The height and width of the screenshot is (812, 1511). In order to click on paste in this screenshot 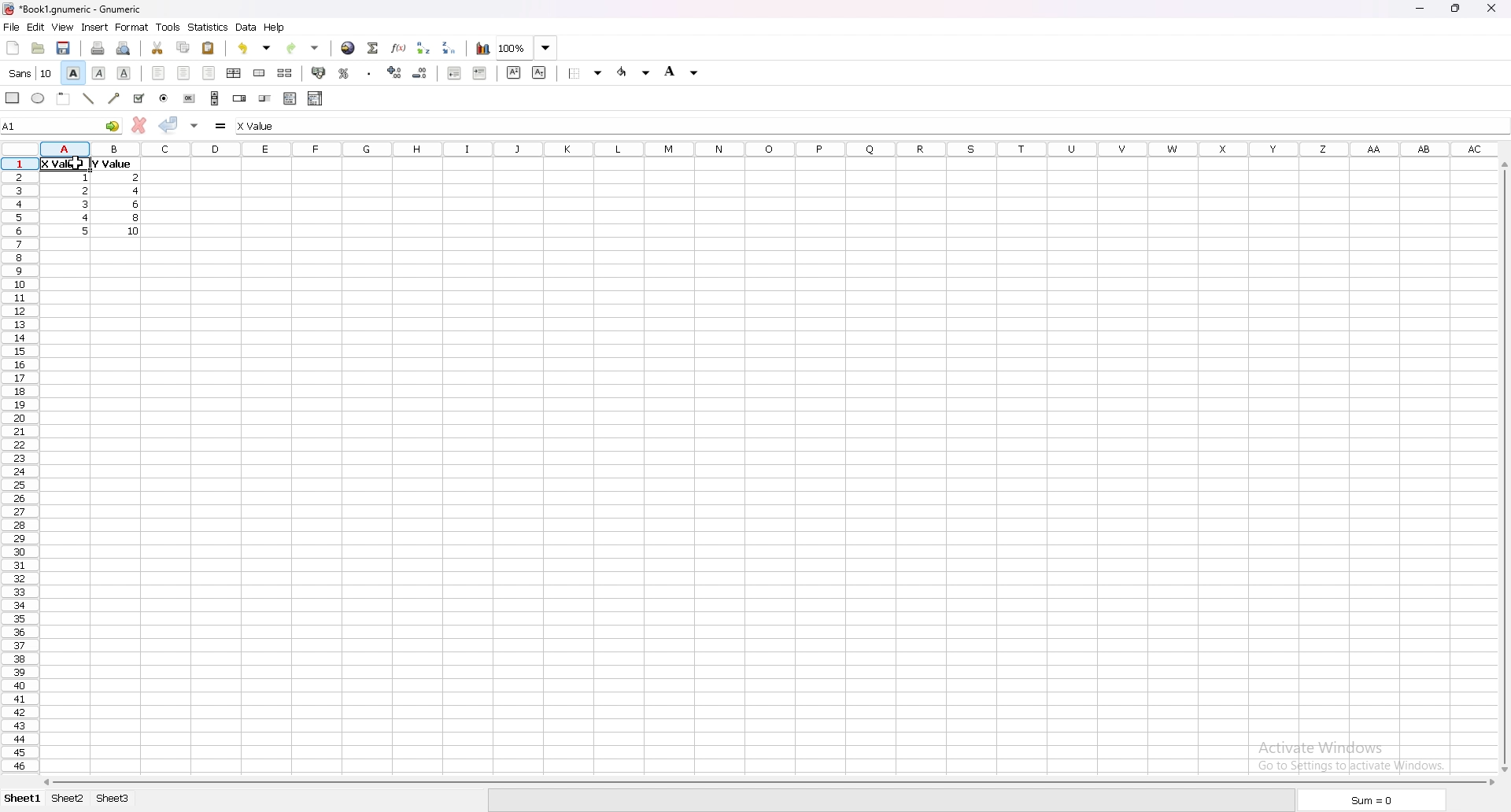, I will do `click(209, 47)`.